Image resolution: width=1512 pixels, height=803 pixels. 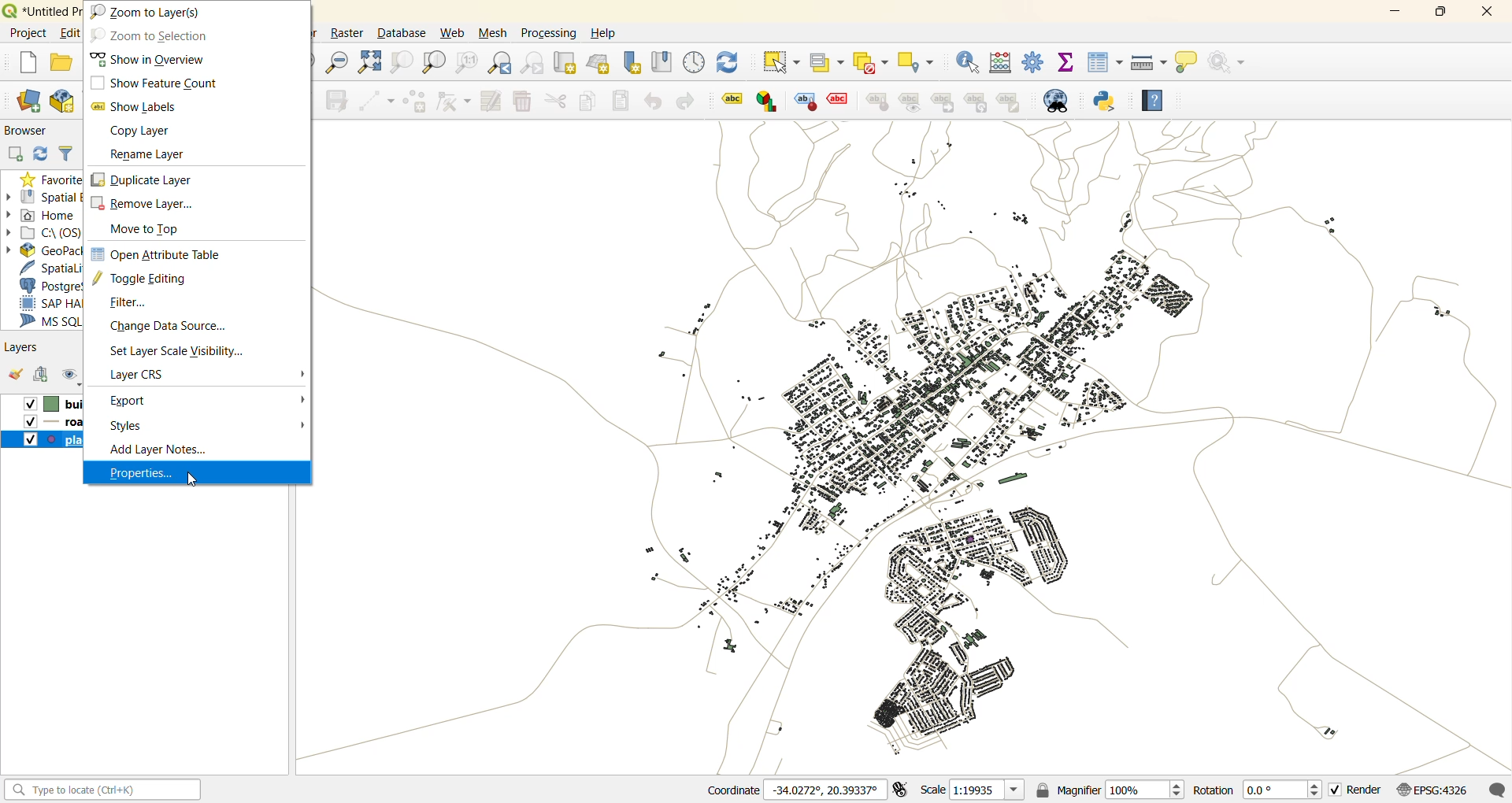 I want to click on new spatial bookmark, so click(x=632, y=63).